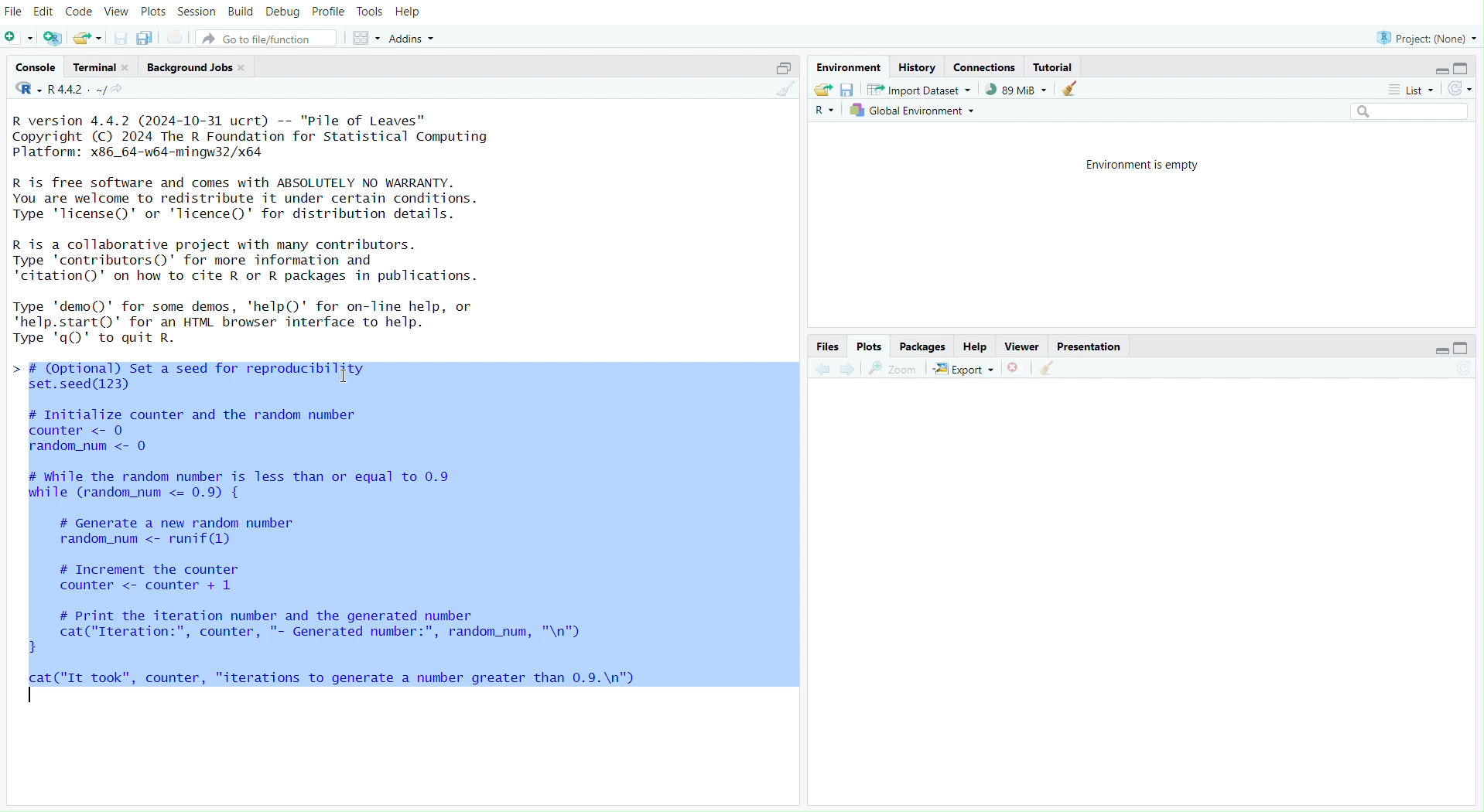 This screenshot has height=812, width=1484. Describe the element at coordinates (1440, 70) in the screenshot. I see `Minimize` at that location.